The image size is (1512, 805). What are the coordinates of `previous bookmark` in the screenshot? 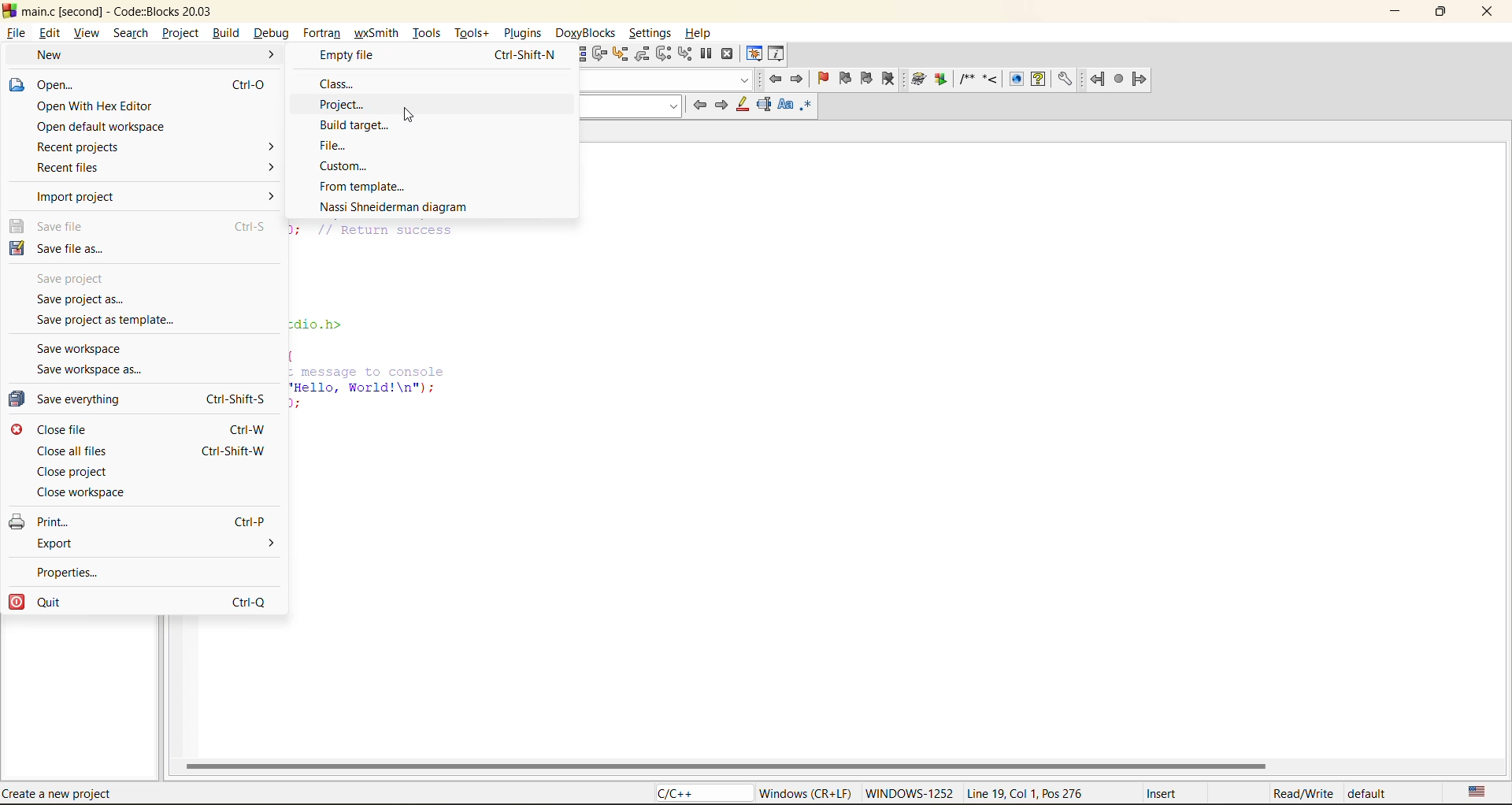 It's located at (843, 80).